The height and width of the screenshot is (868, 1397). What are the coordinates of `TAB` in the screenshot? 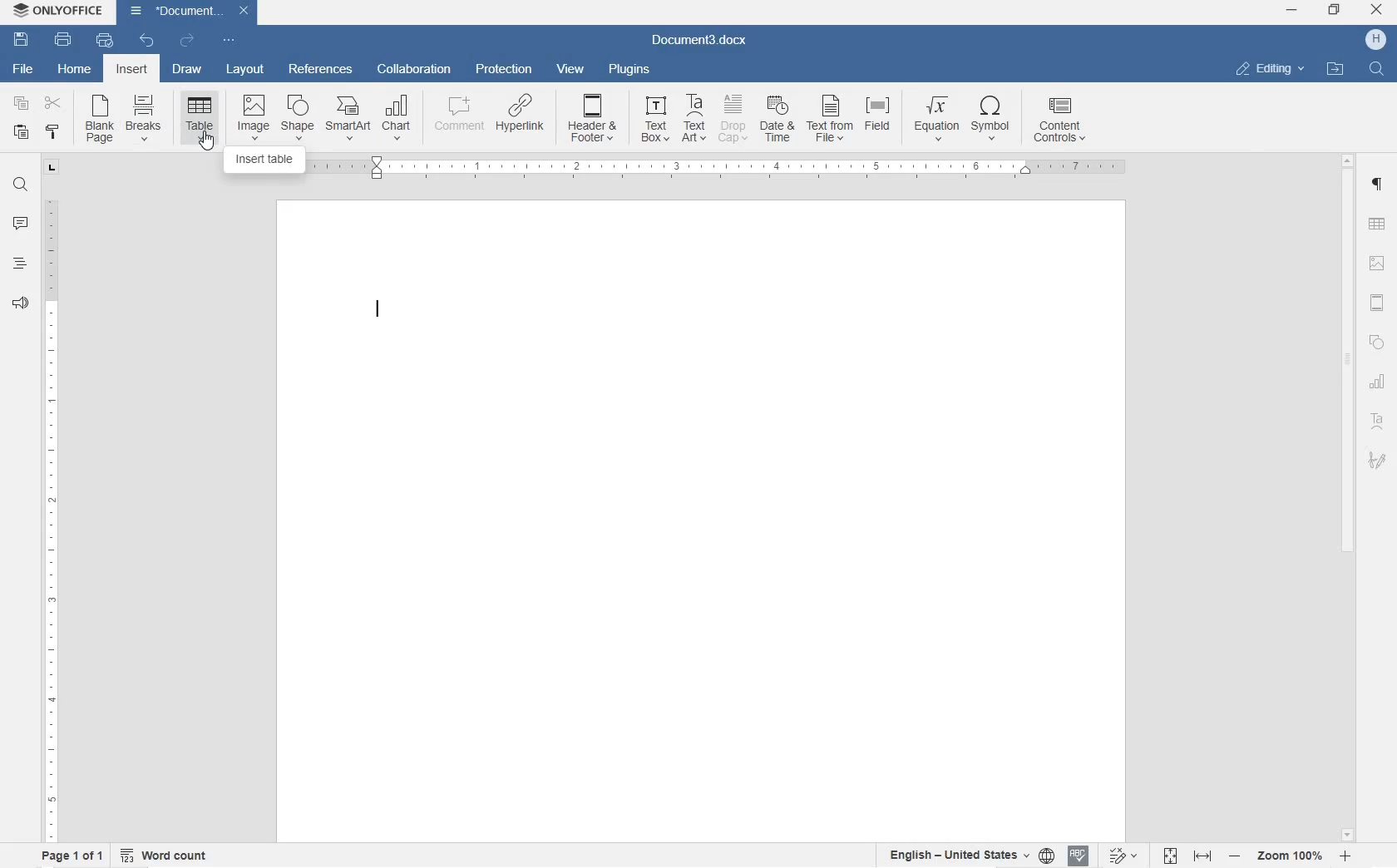 It's located at (52, 167).